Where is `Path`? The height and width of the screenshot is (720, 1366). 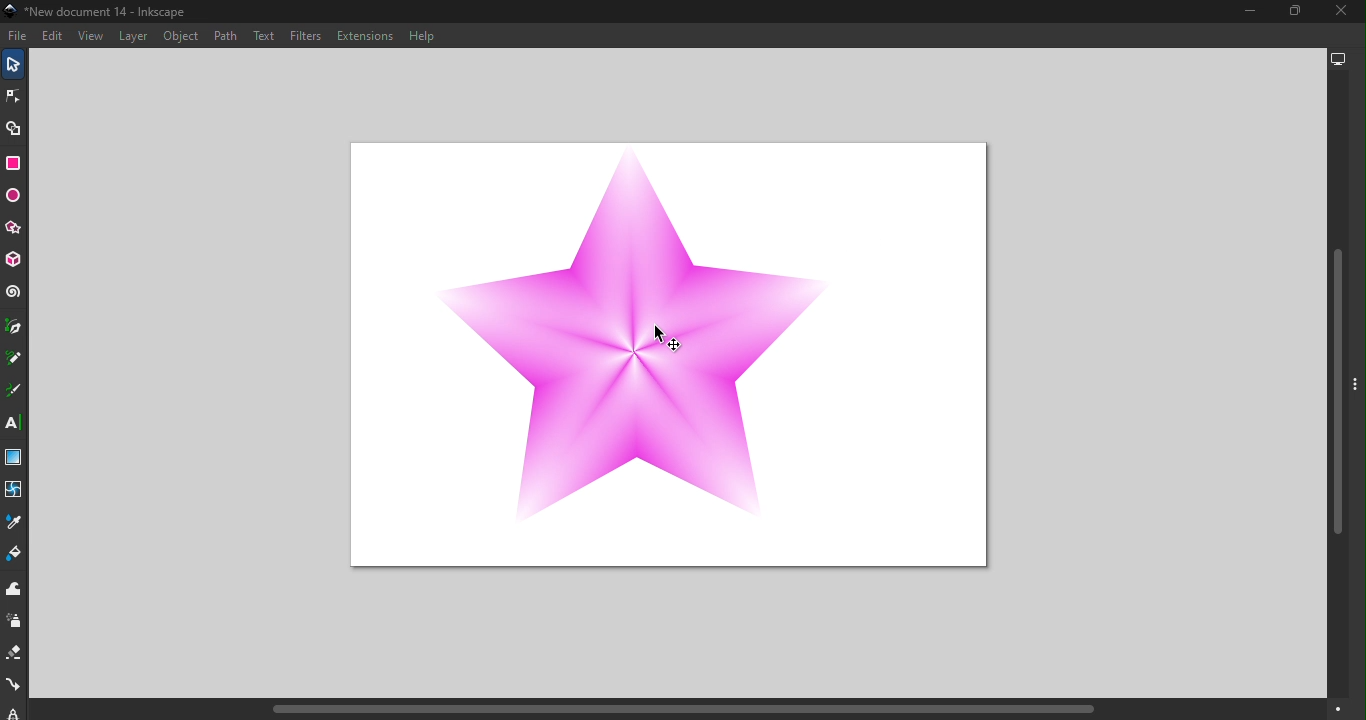
Path is located at coordinates (224, 34).